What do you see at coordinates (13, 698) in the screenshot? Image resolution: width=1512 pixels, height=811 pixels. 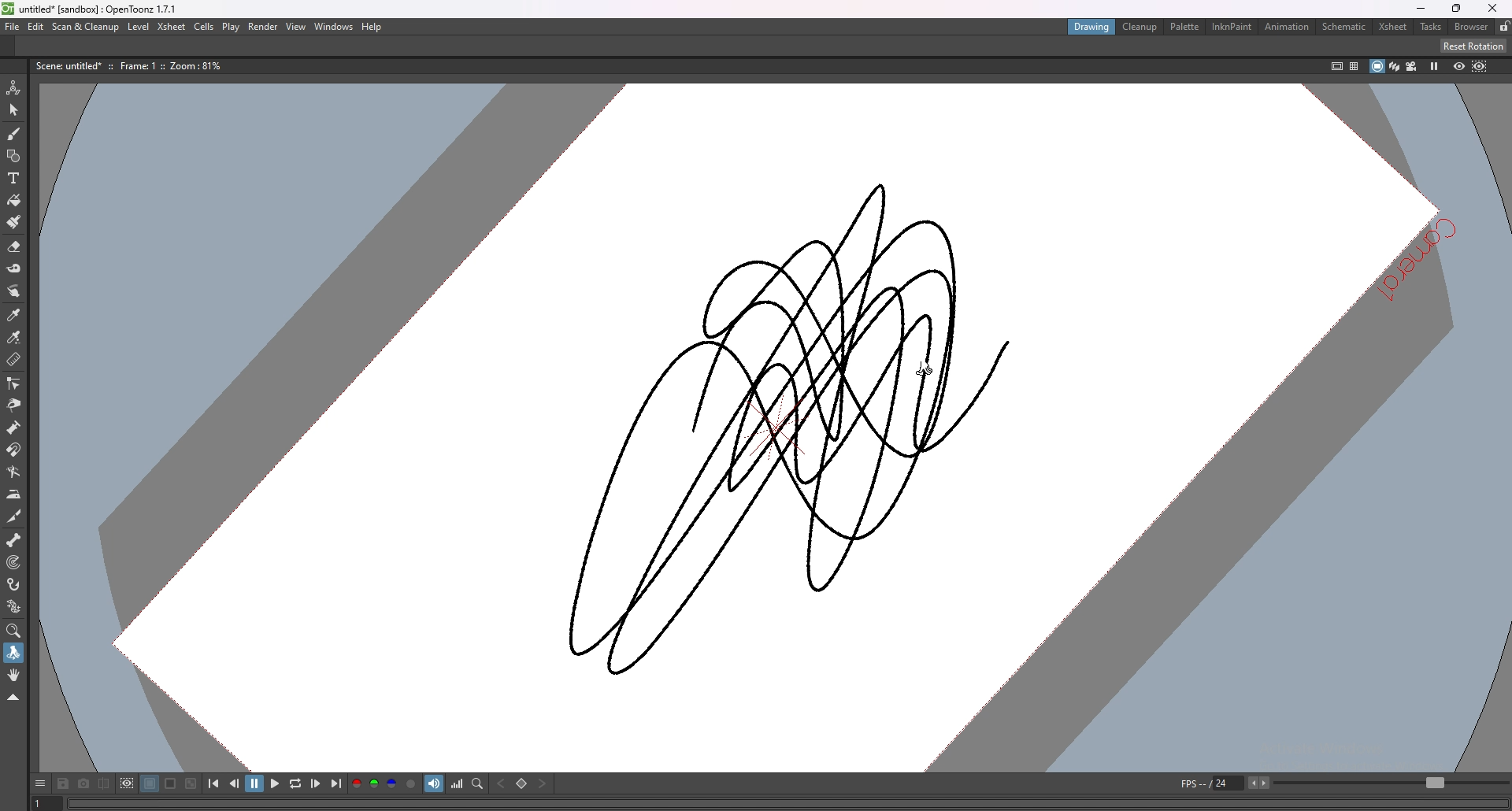 I see `collapse` at bounding box center [13, 698].